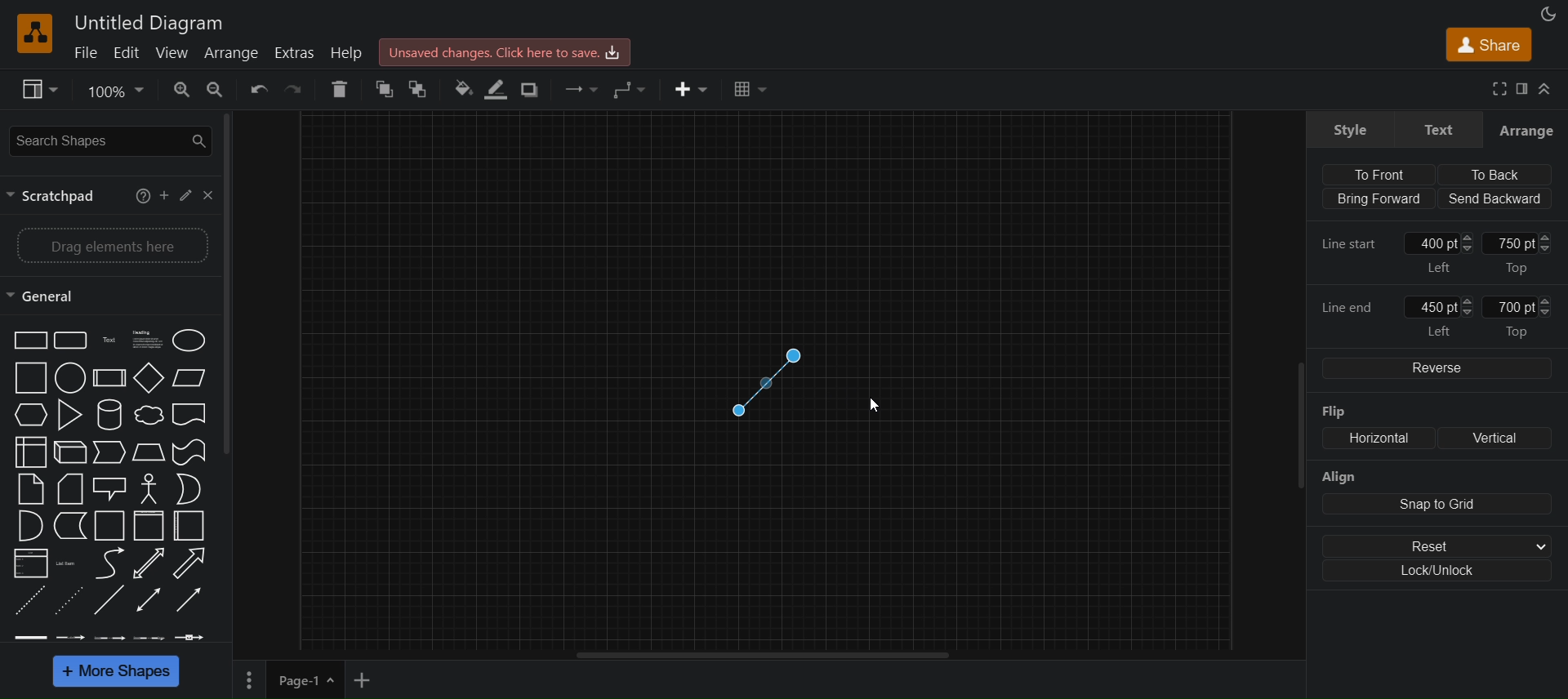  What do you see at coordinates (69, 602) in the screenshot?
I see `dotted line` at bounding box center [69, 602].